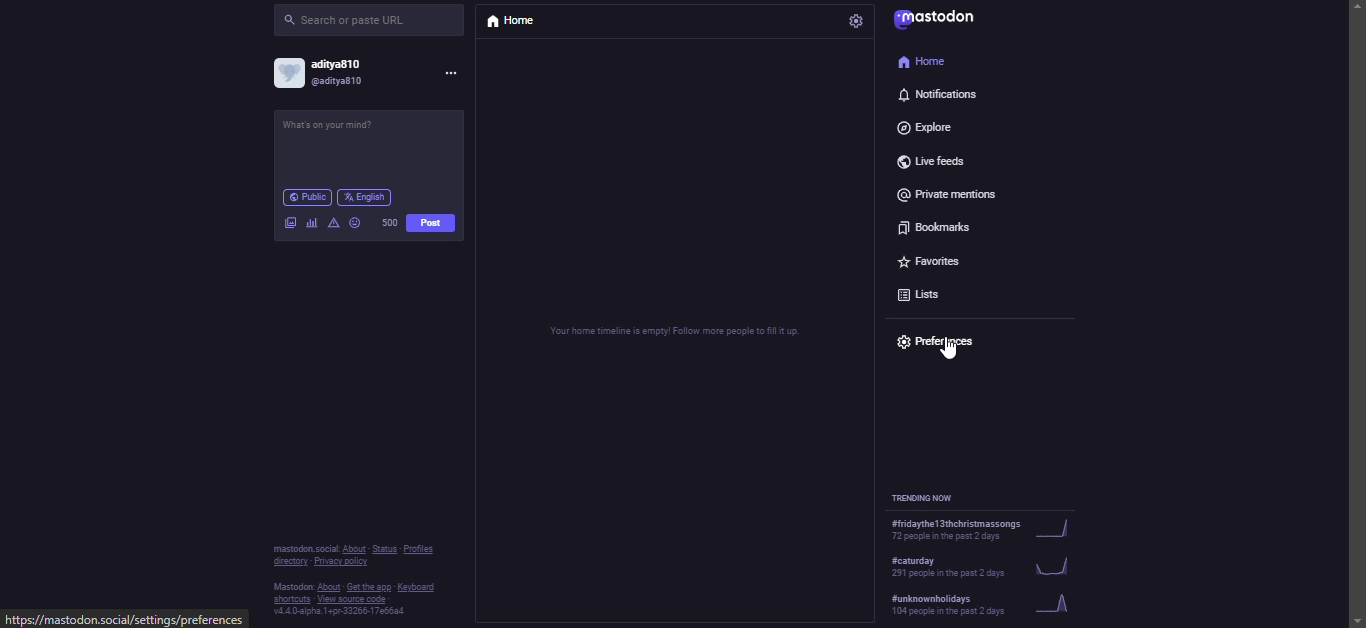 This screenshot has width=1366, height=628. What do you see at coordinates (926, 289) in the screenshot?
I see `lists` at bounding box center [926, 289].